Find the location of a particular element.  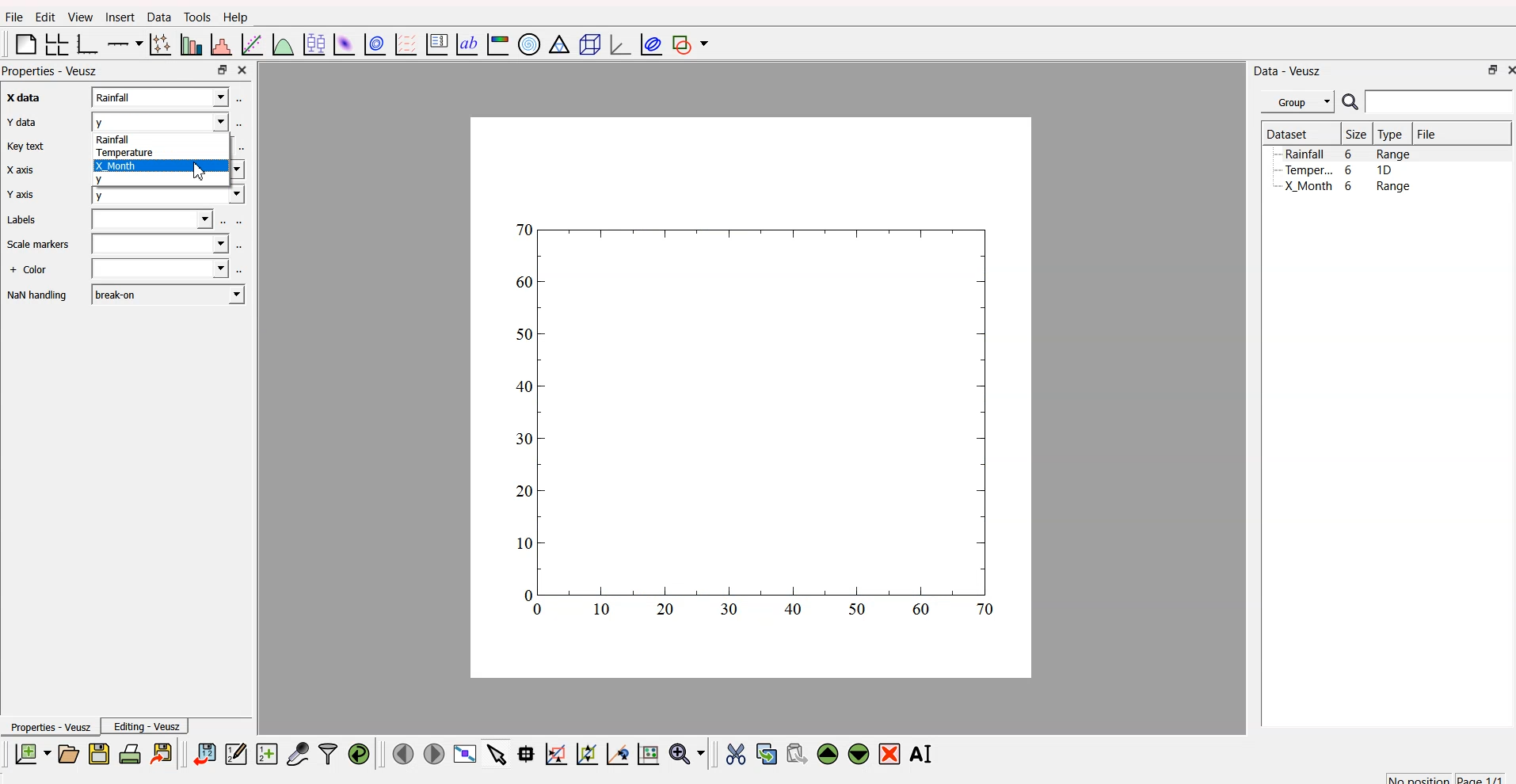

print document is located at coordinates (130, 753).